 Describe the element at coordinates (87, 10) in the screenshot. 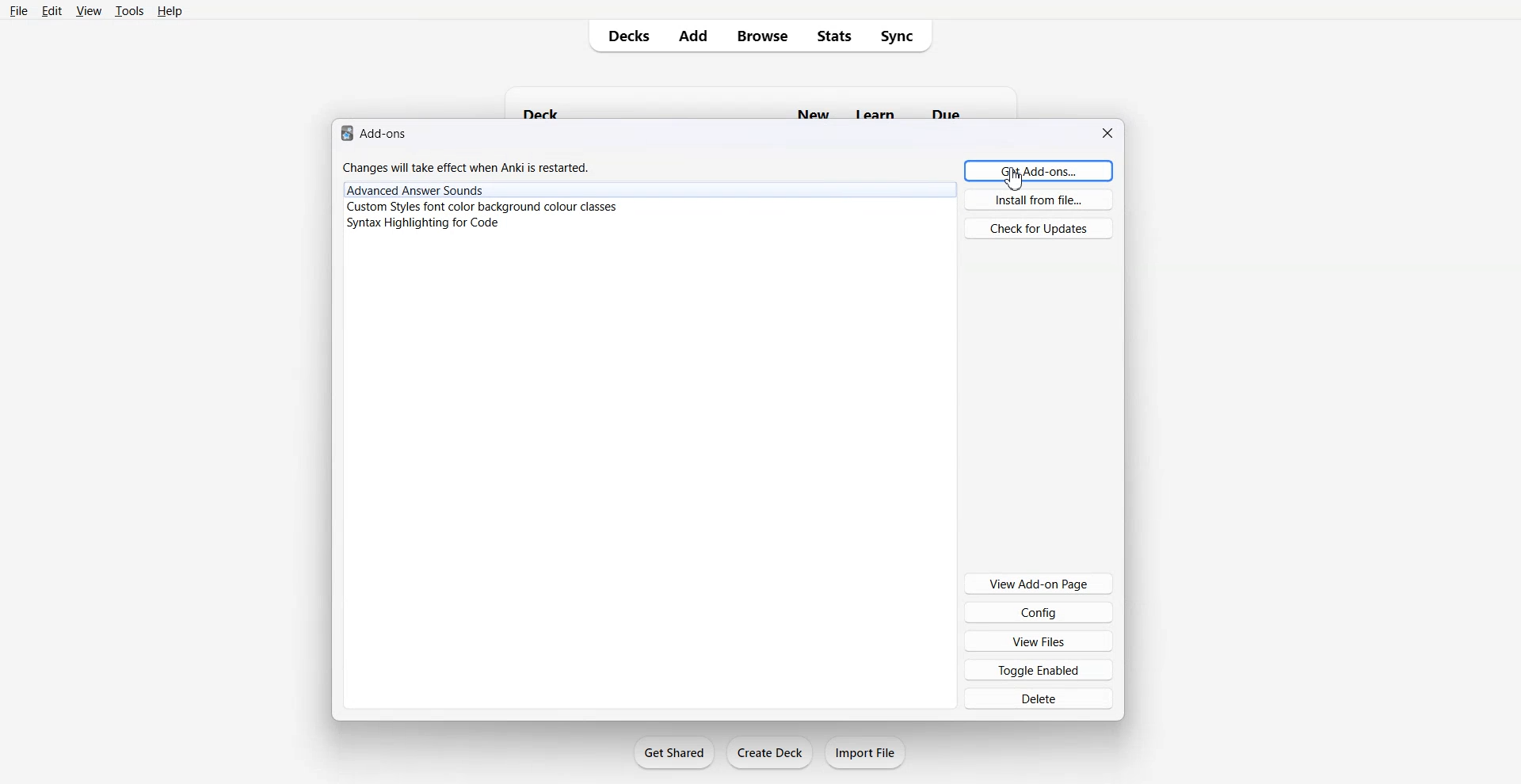

I see `View` at that location.